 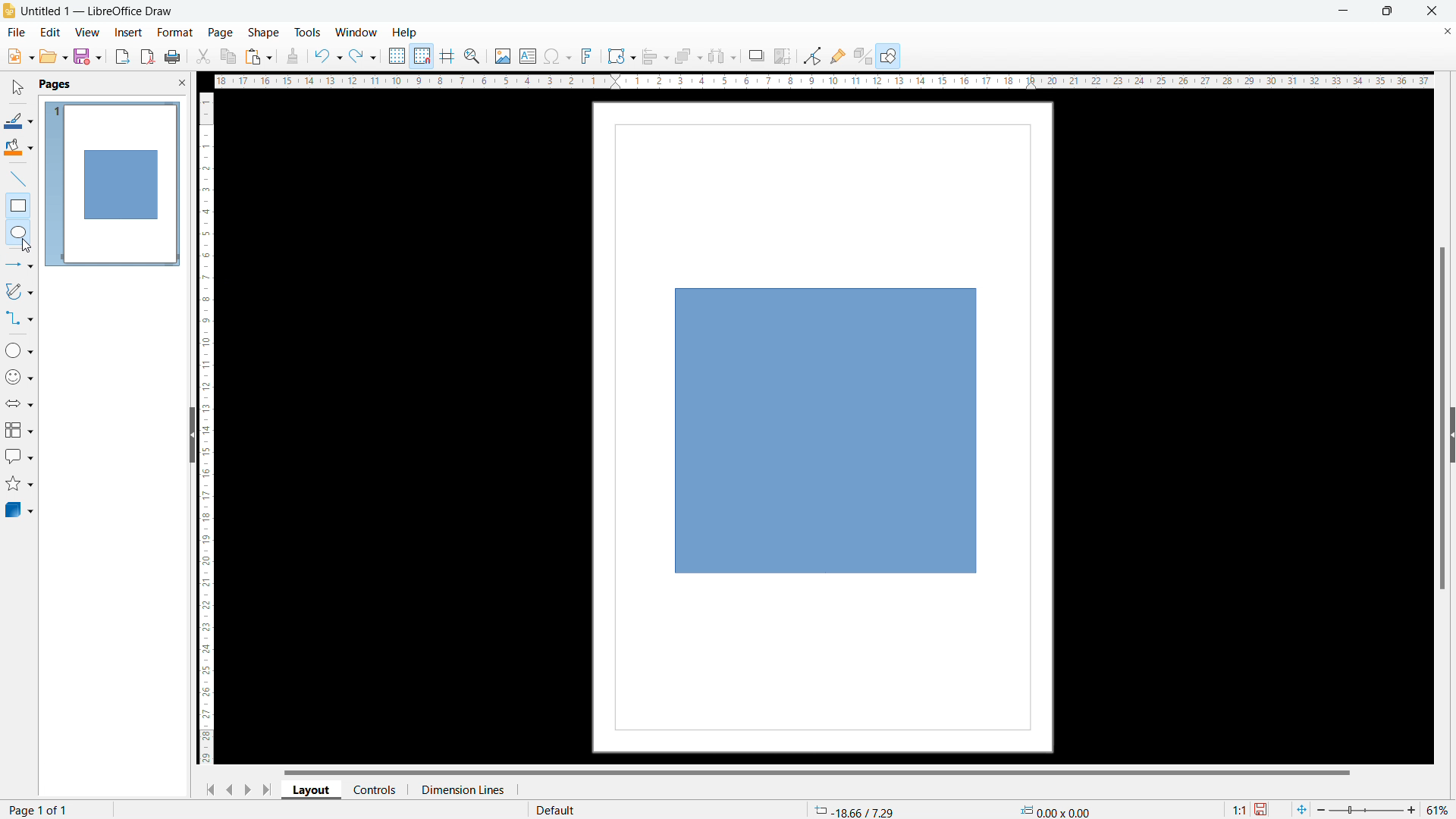 I want to click on shadow, so click(x=755, y=56).